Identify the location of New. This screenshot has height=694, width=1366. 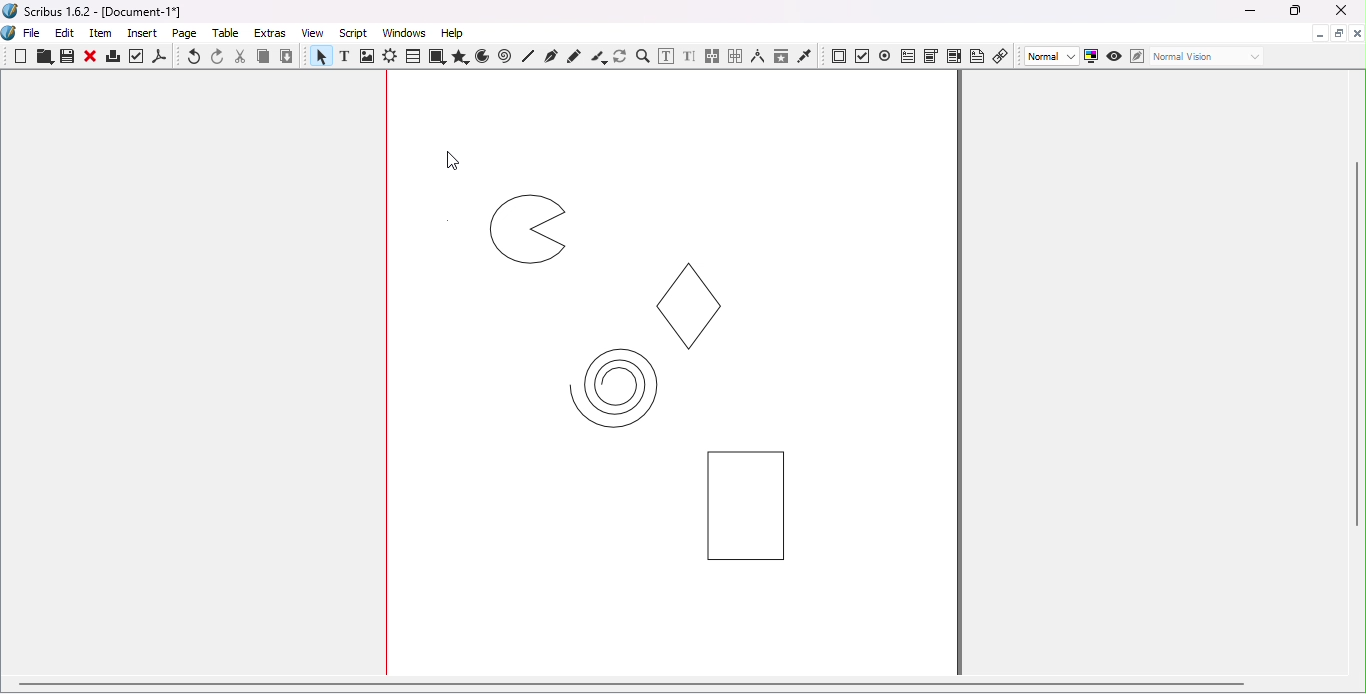
(21, 56).